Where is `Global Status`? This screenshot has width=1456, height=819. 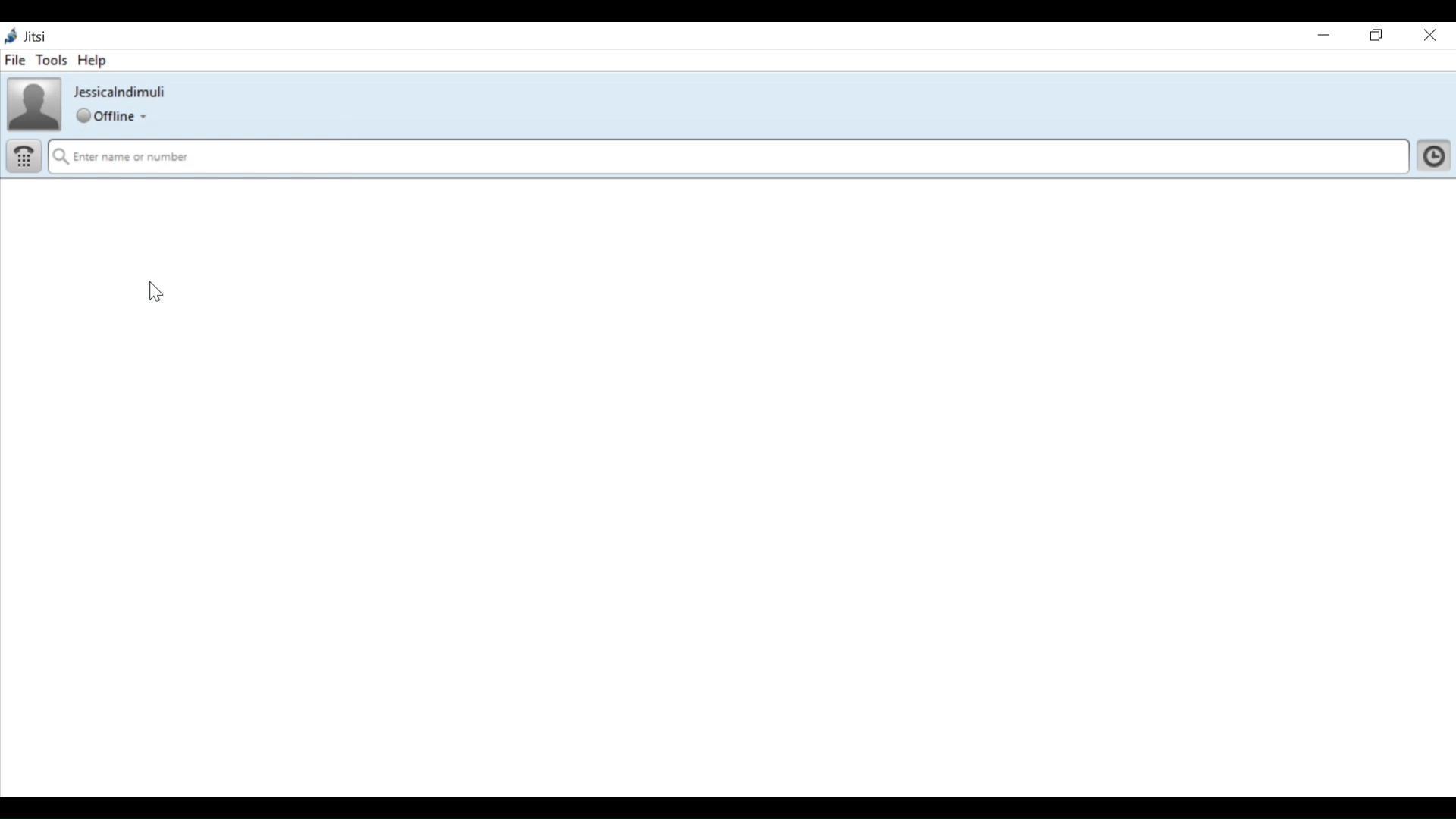
Global Status is located at coordinates (108, 115).